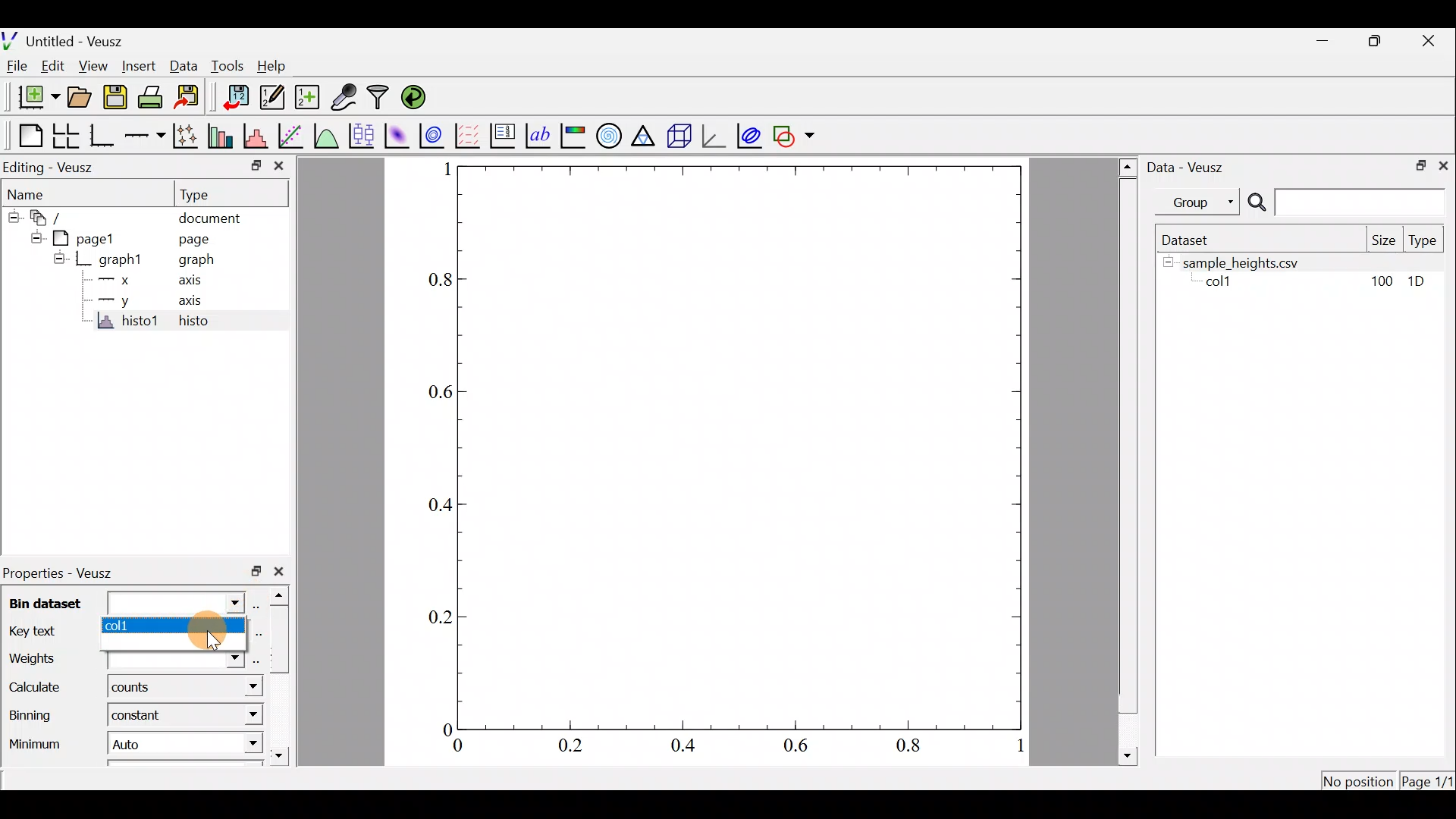 The height and width of the screenshot is (819, 1456). Describe the element at coordinates (647, 136) in the screenshot. I see `ternary graph` at that location.